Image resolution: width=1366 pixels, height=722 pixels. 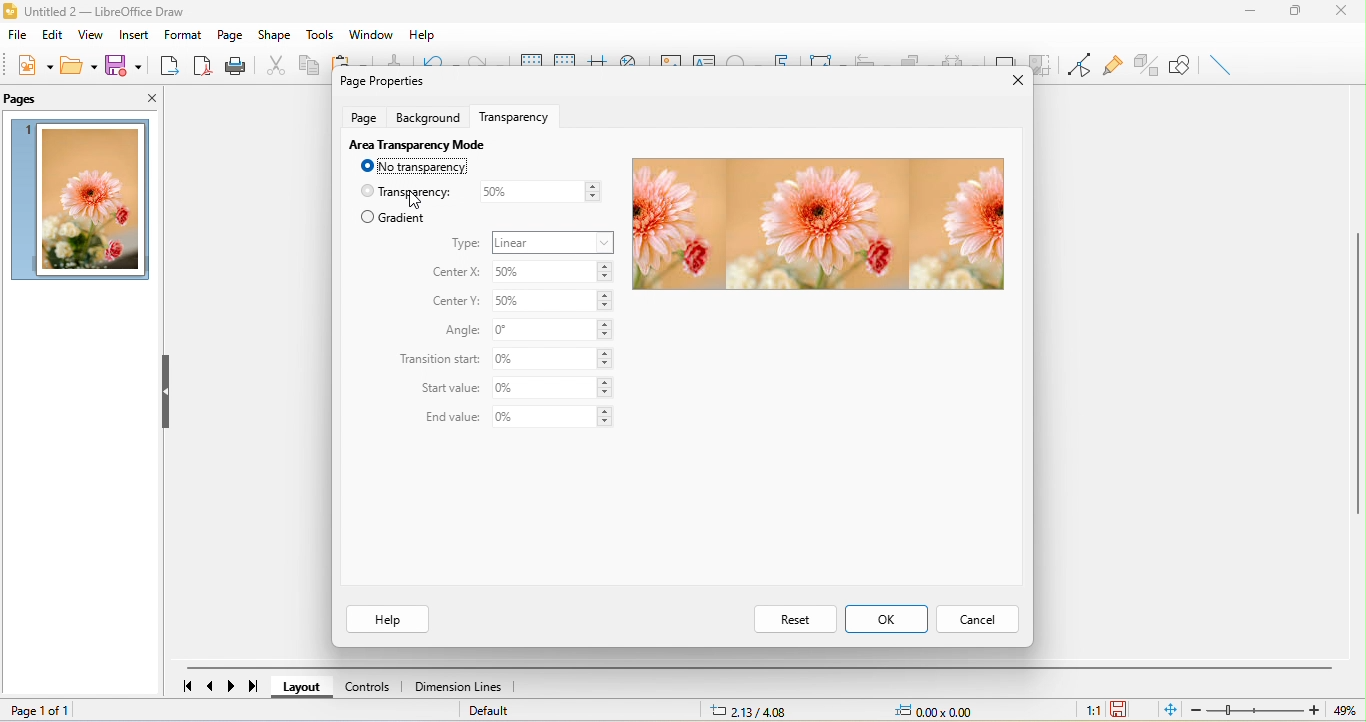 What do you see at coordinates (165, 63) in the screenshot?
I see `export` at bounding box center [165, 63].